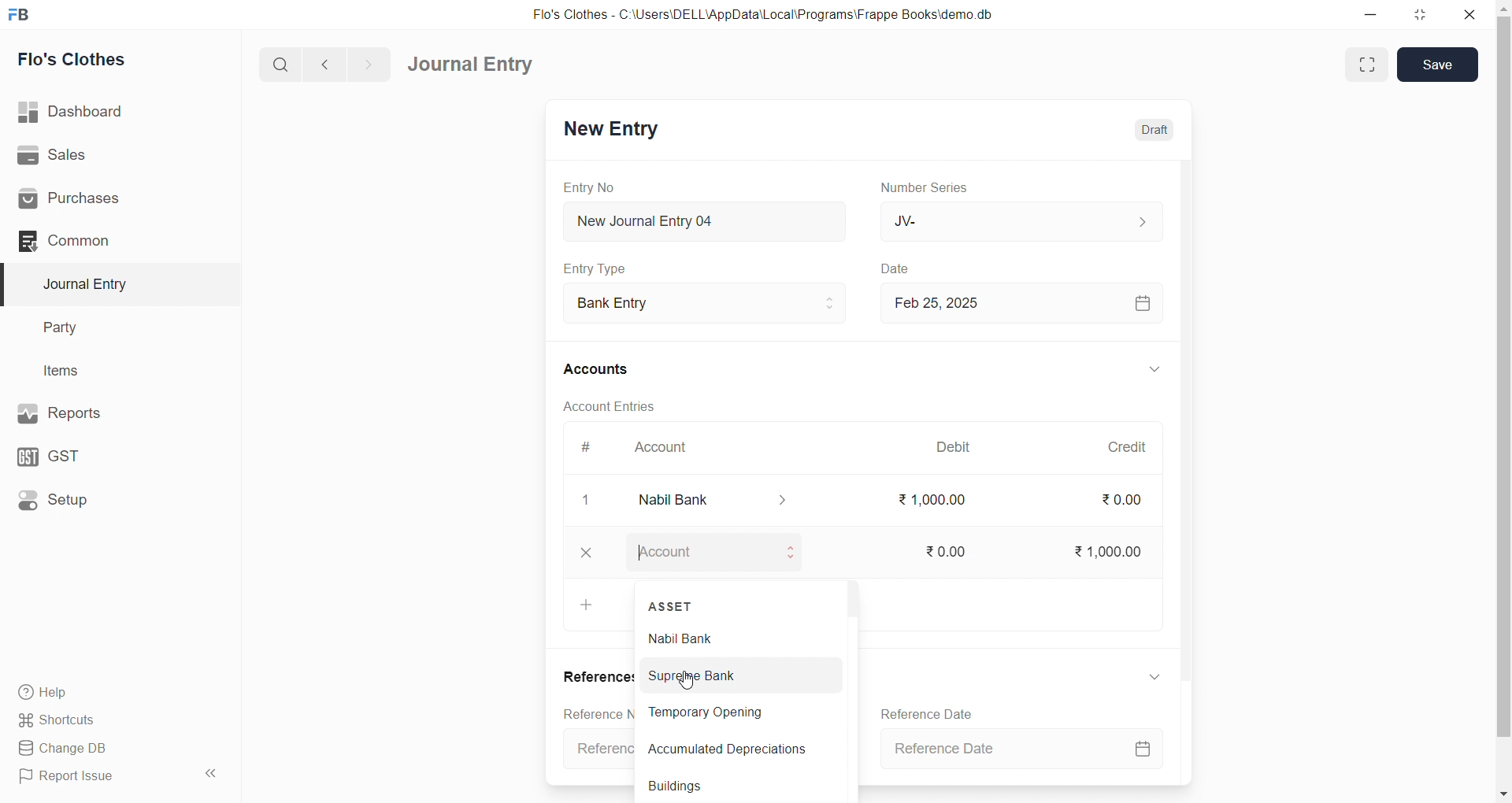 This screenshot has width=1512, height=803. What do you see at coordinates (113, 199) in the screenshot?
I see `Purchases` at bounding box center [113, 199].